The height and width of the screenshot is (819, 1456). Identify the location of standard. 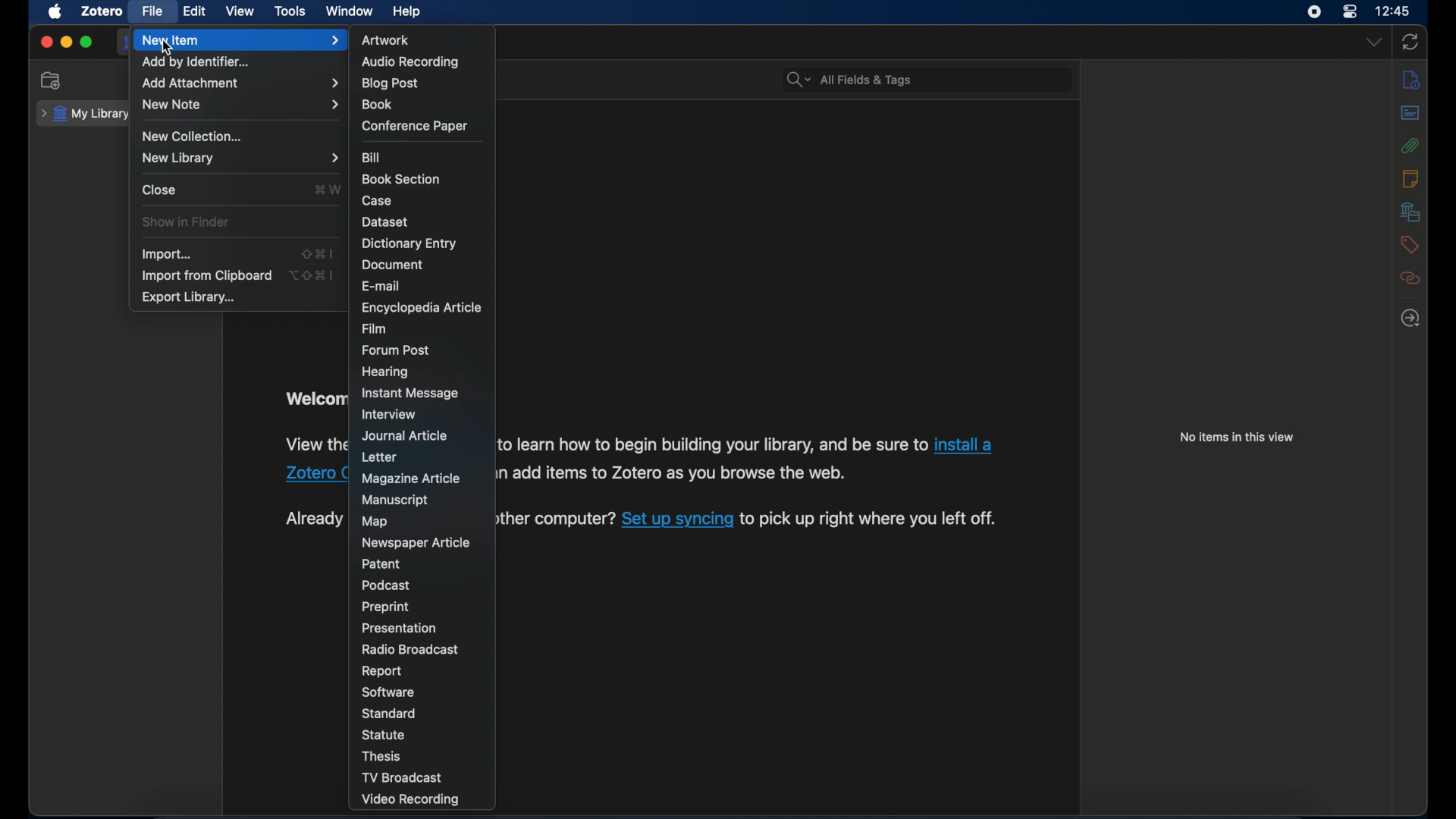
(390, 714).